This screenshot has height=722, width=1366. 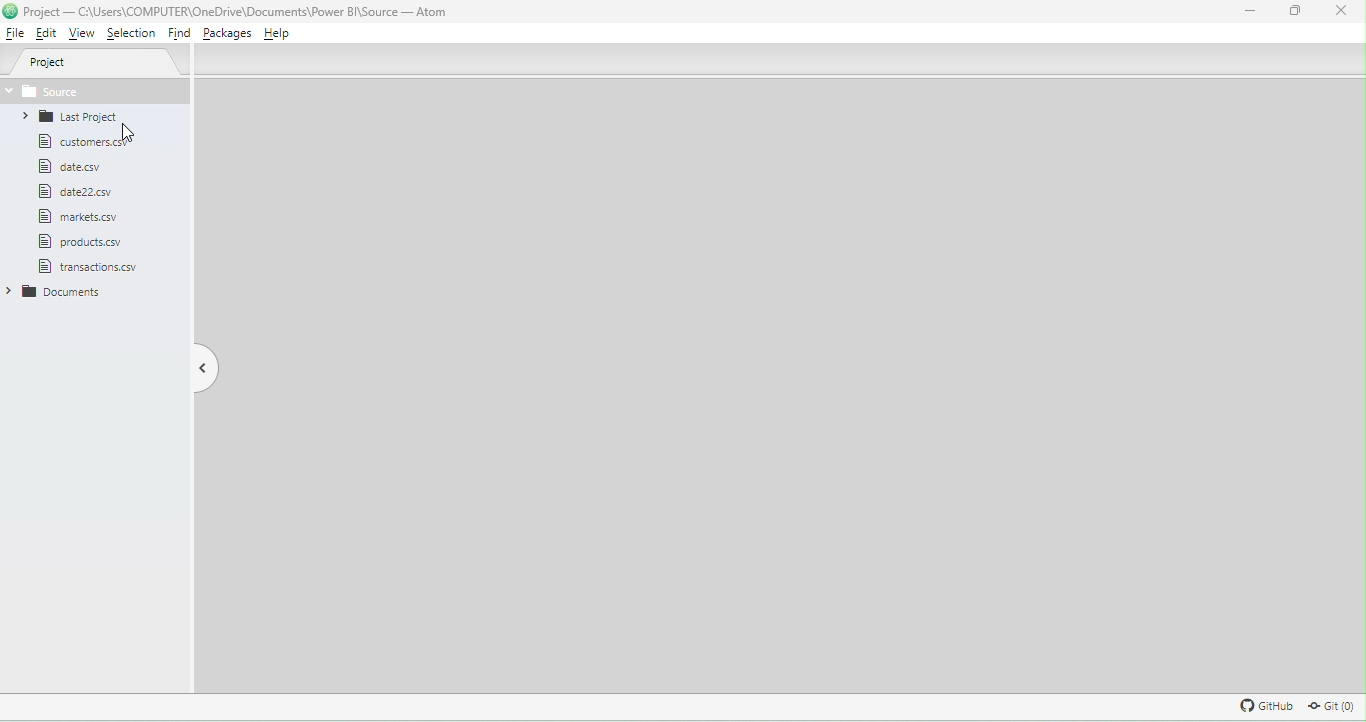 What do you see at coordinates (81, 242) in the screenshot?
I see `File` at bounding box center [81, 242].